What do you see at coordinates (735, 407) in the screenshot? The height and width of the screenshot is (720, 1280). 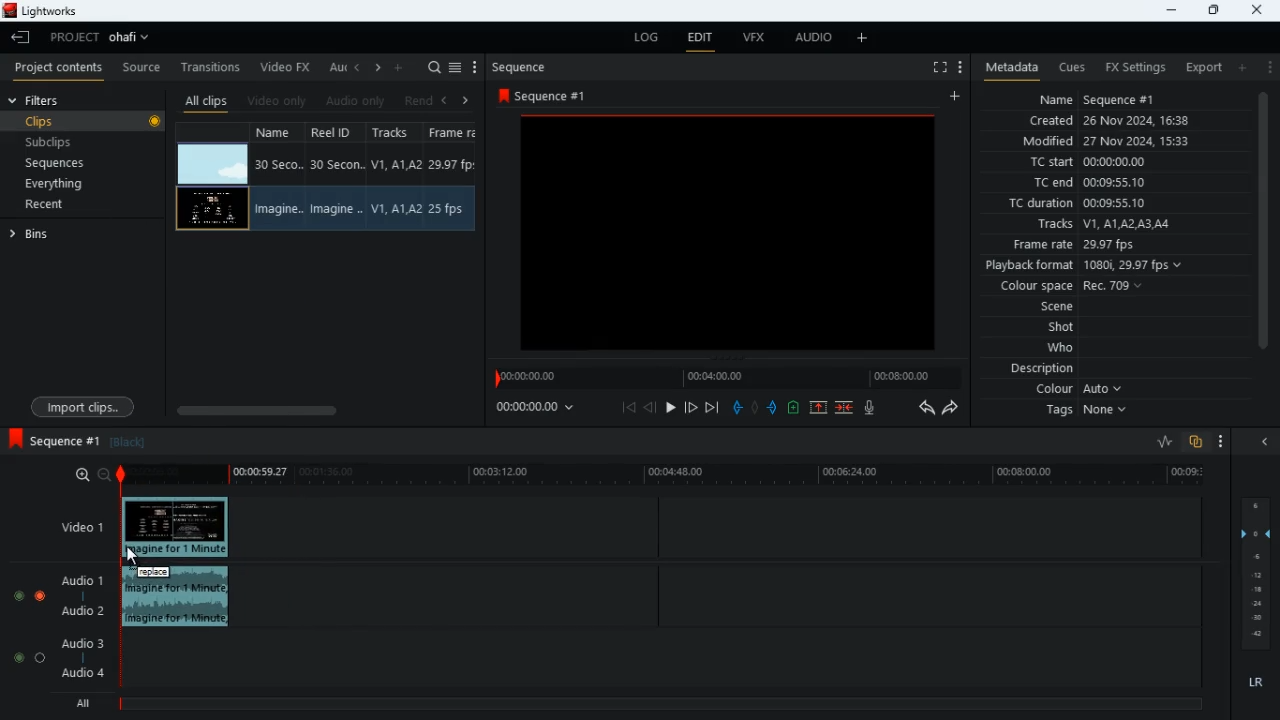 I see `pull` at bounding box center [735, 407].